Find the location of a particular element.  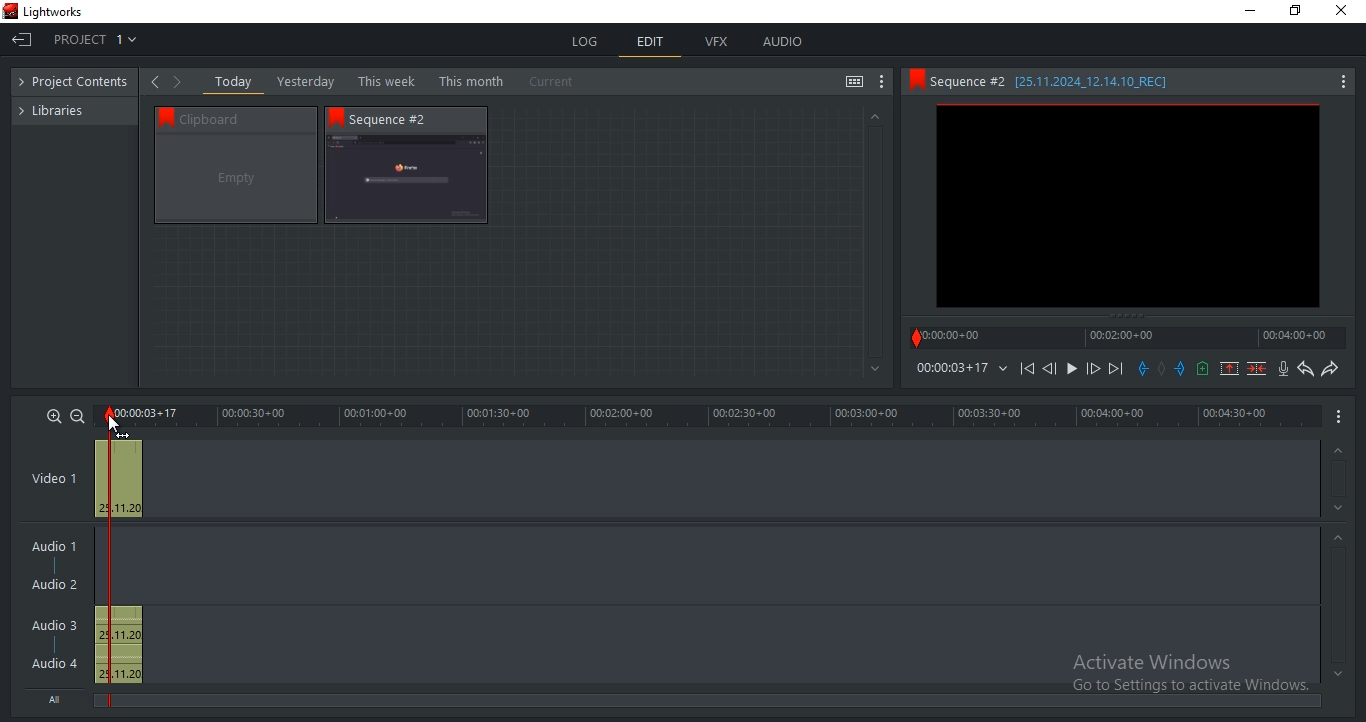

minimize is located at coordinates (1251, 11).